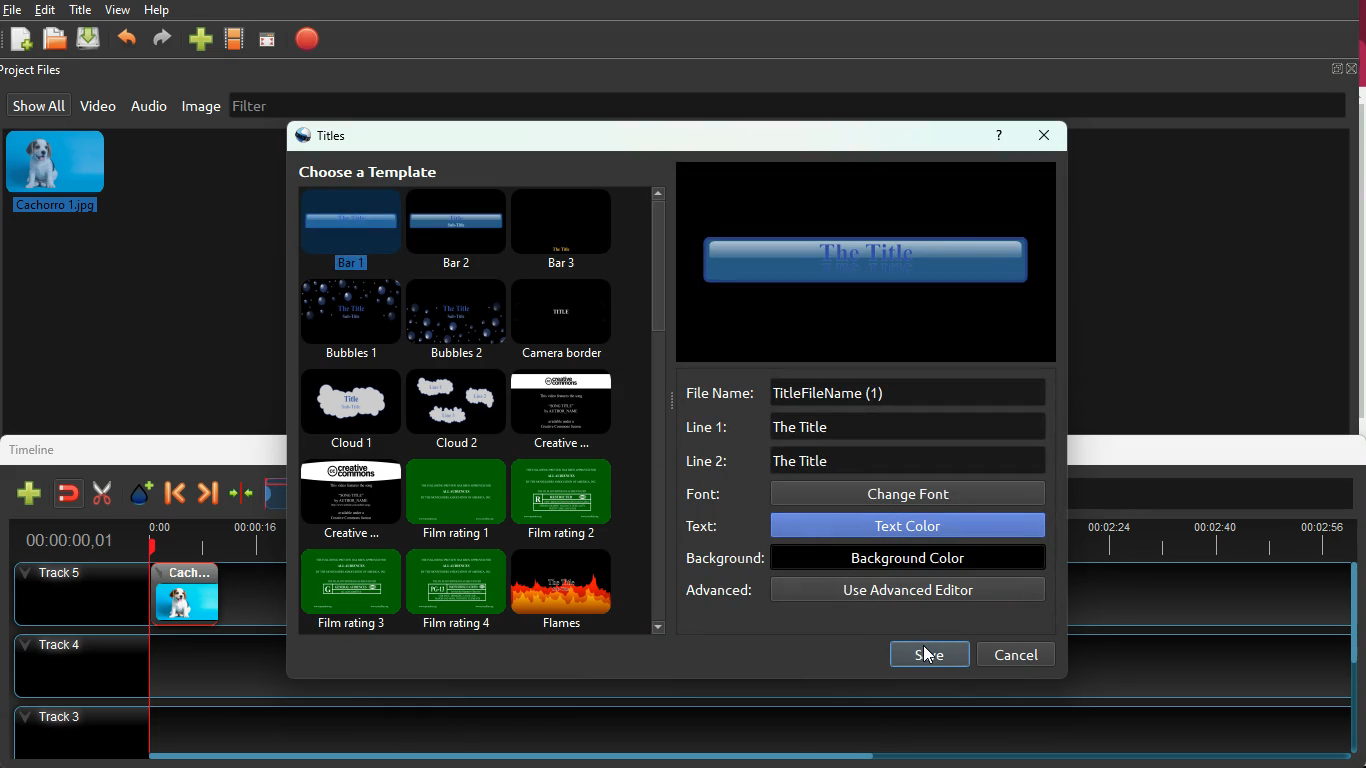 Image resolution: width=1366 pixels, height=768 pixels. Describe the element at coordinates (864, 591) in the screenshot. I see `advanced` at that location.